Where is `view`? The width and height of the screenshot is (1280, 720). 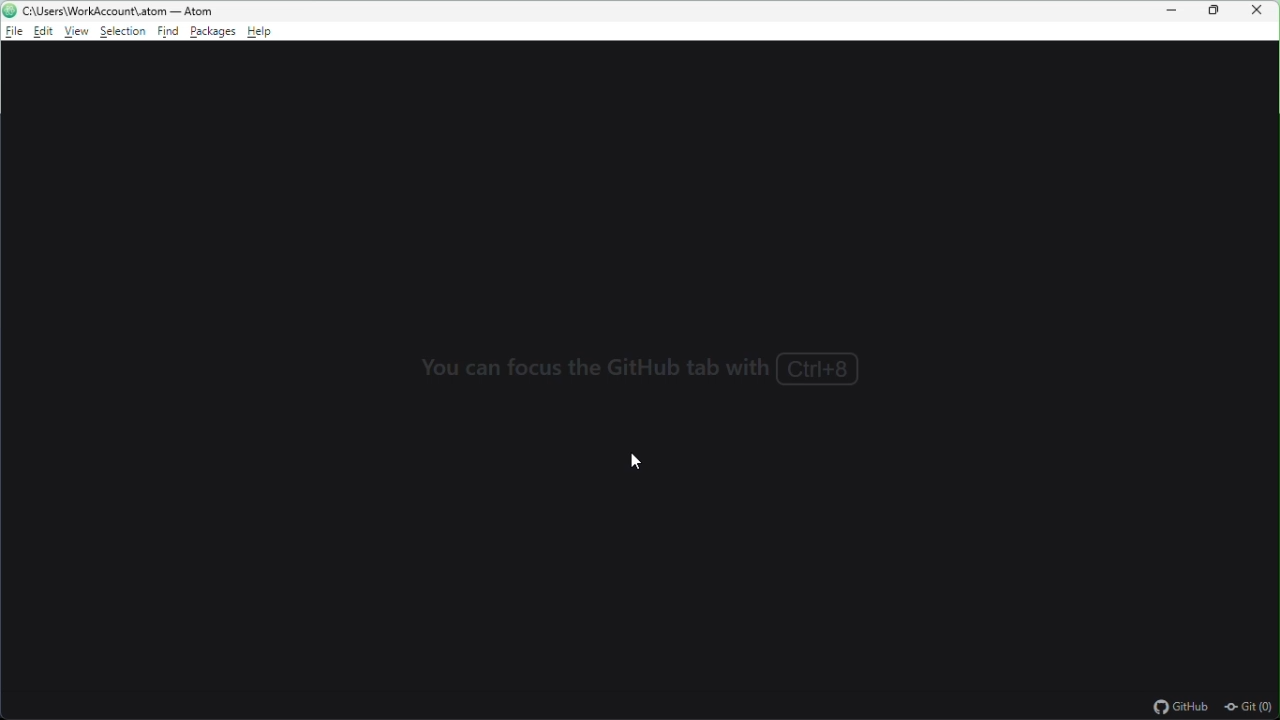
view is located at coordinates (79, 32).